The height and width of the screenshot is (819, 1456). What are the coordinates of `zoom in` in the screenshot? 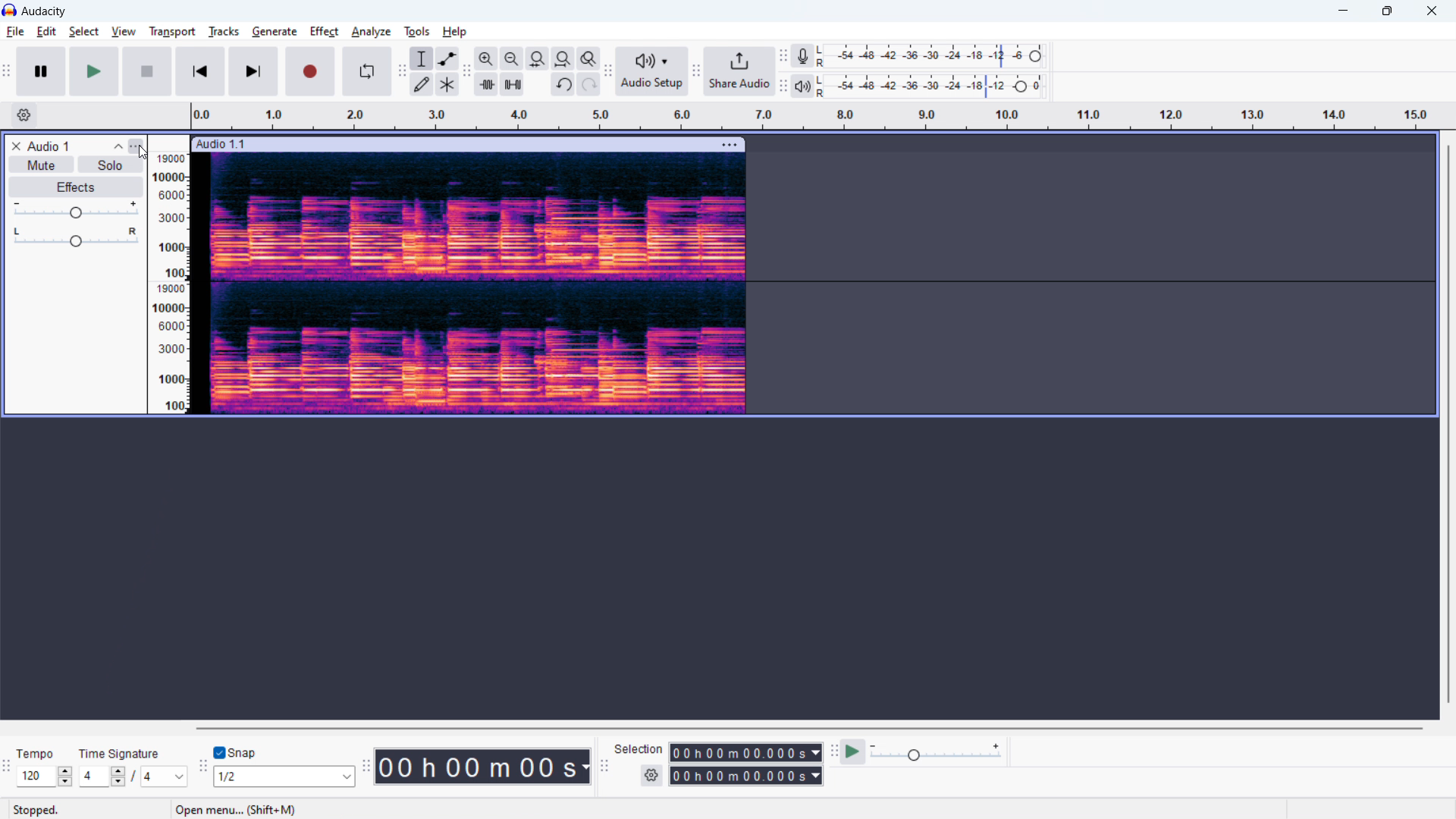 It's located at (486, 58).